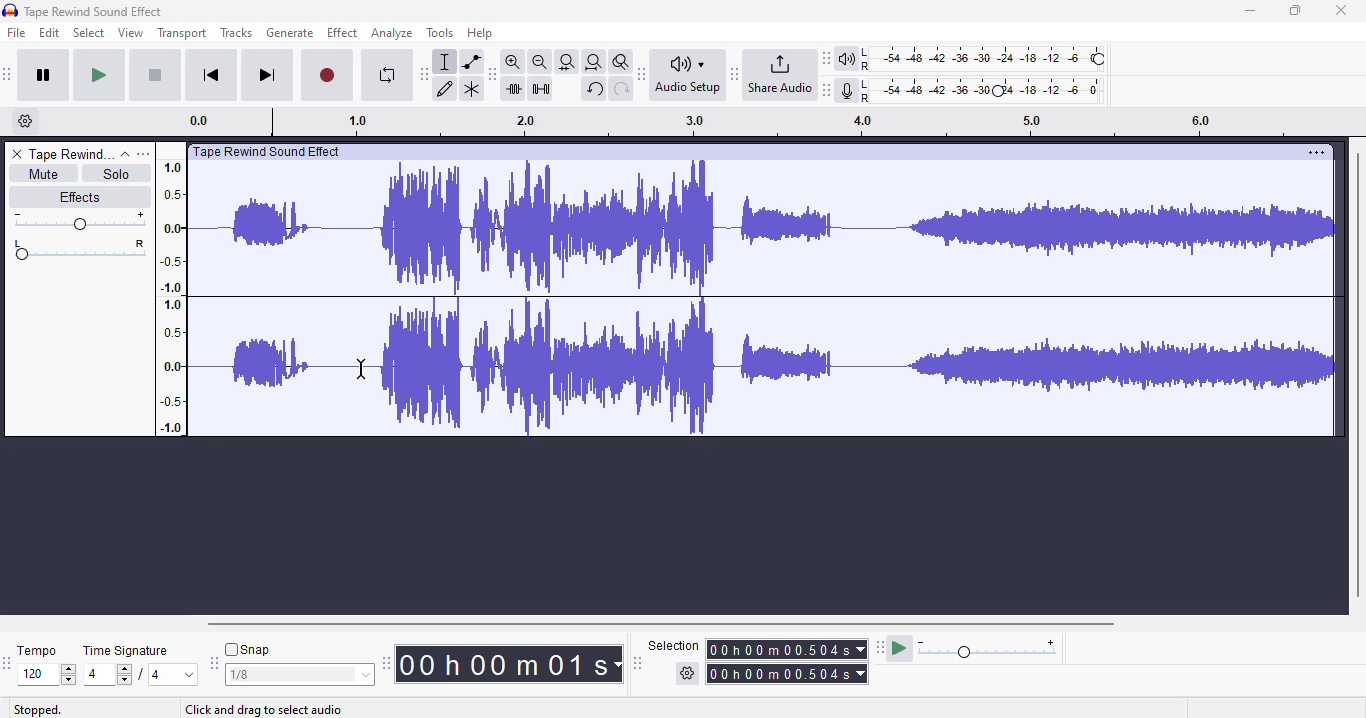 The height and width of the screenshot is (718, 1366). I want to click on stop, so click(155, 76).